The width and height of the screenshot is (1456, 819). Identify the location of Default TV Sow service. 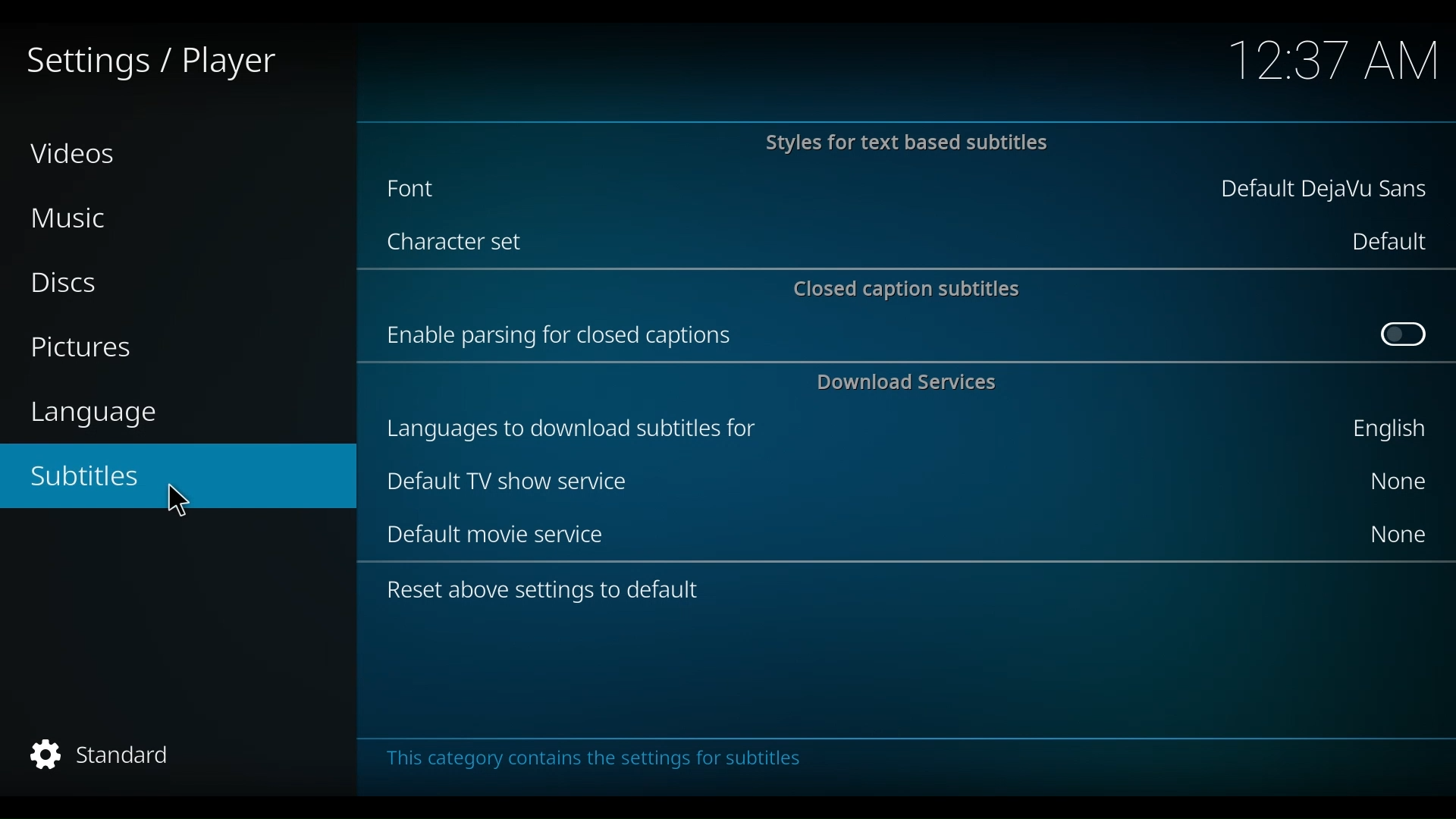
(517, 484).